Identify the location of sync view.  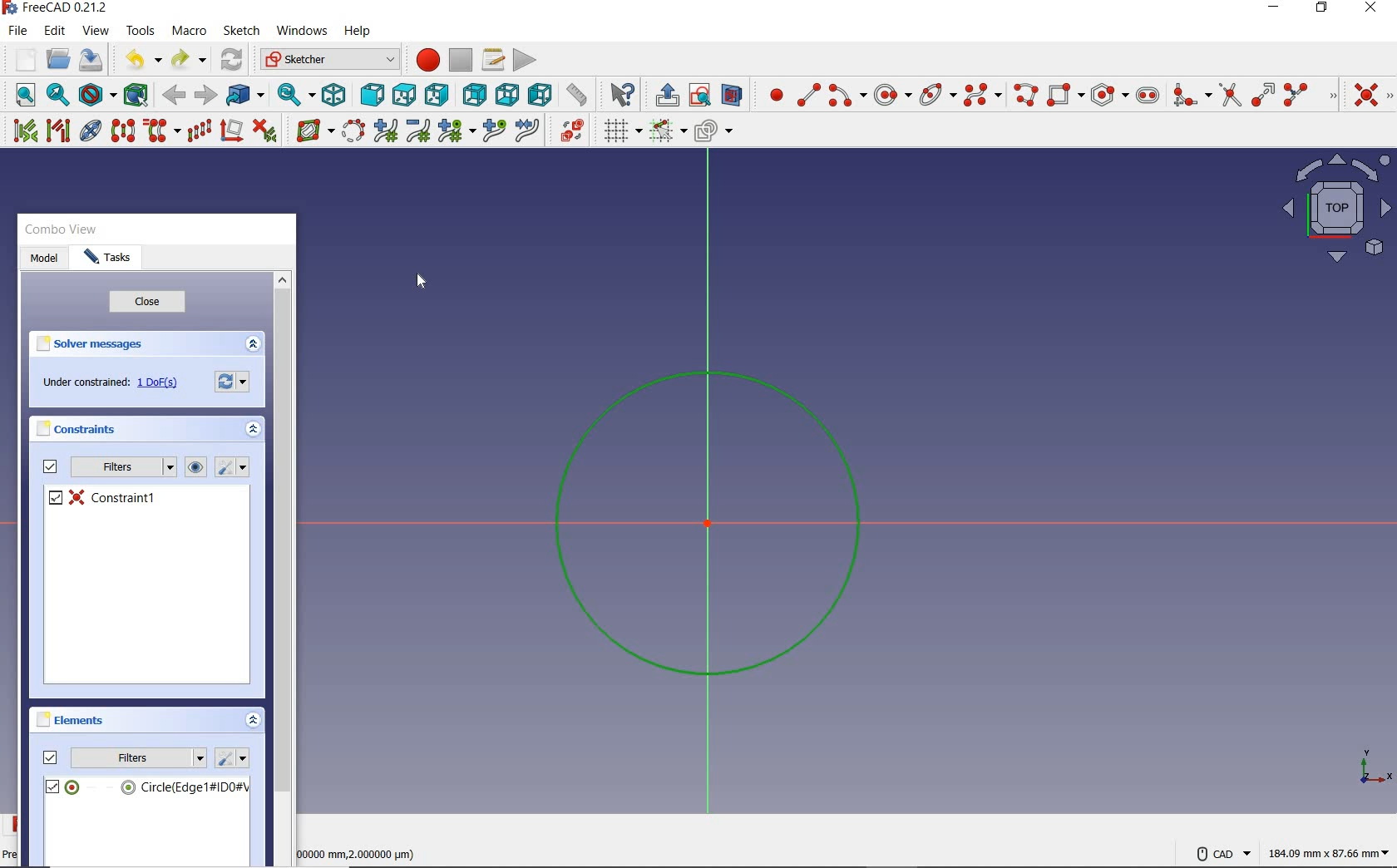
(287, 96).